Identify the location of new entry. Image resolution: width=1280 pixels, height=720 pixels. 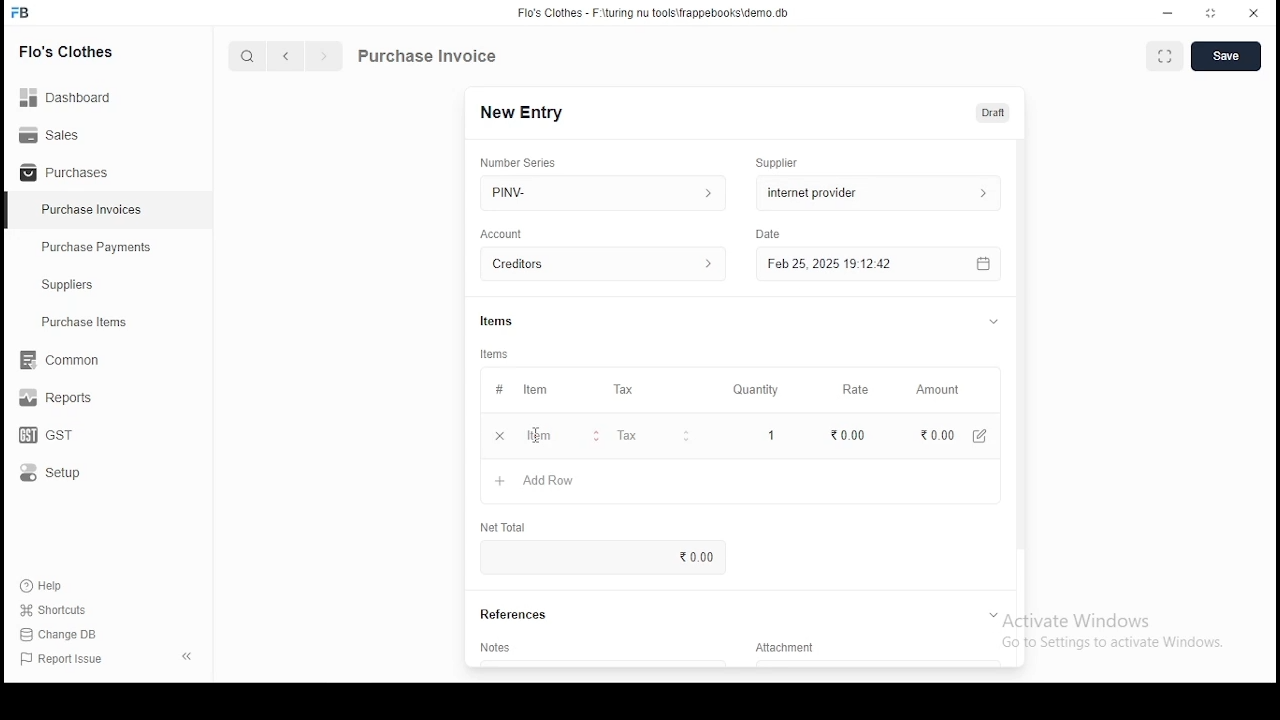
(520, 112).